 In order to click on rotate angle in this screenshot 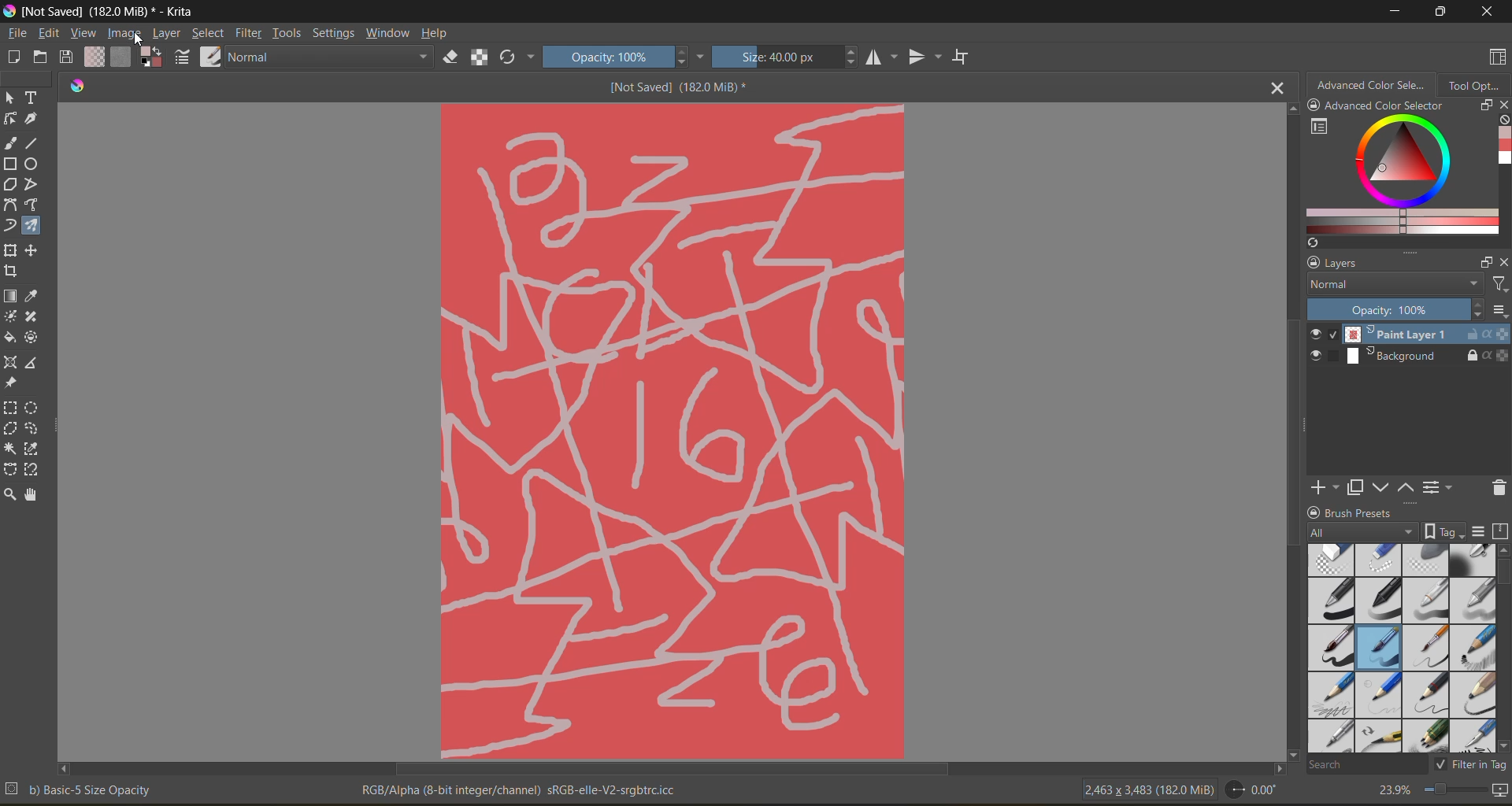, I will do `click(1257, 790)`.